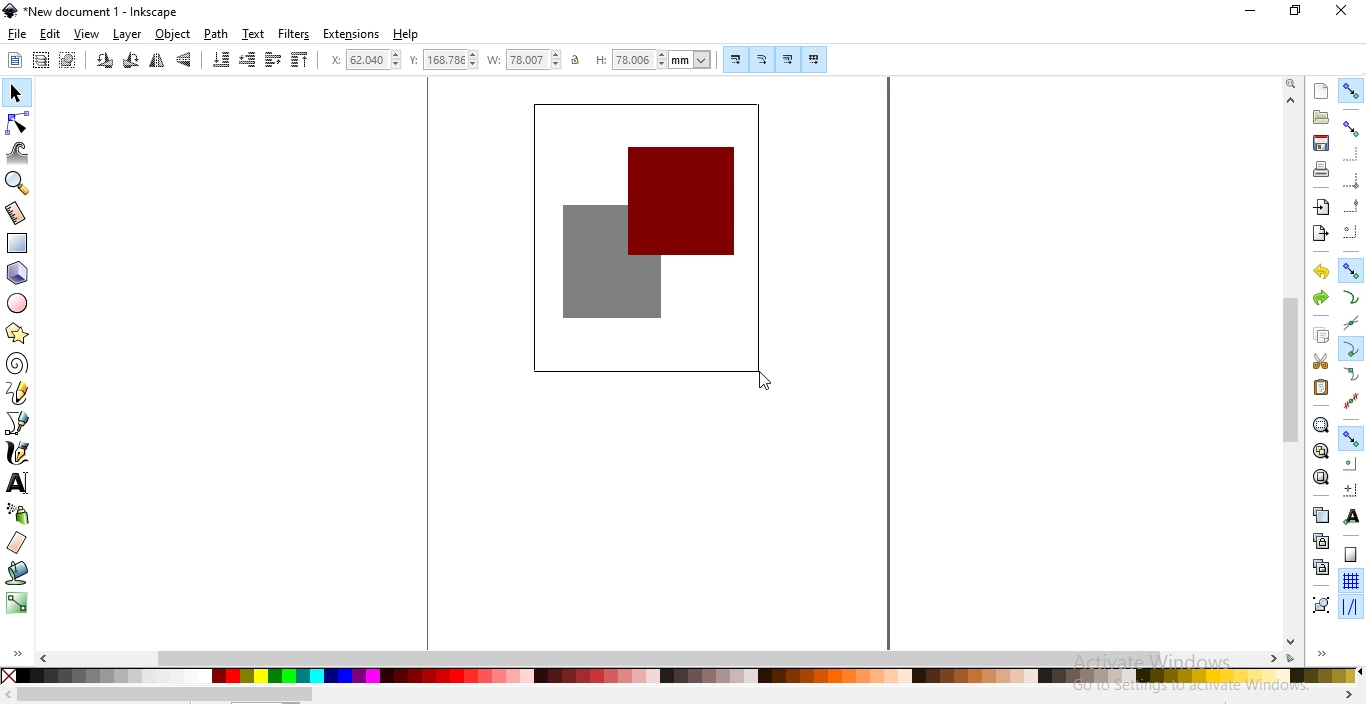 This screenshot has width=1366, height=704. I want to click on snap to page border, so click(1351, 555).